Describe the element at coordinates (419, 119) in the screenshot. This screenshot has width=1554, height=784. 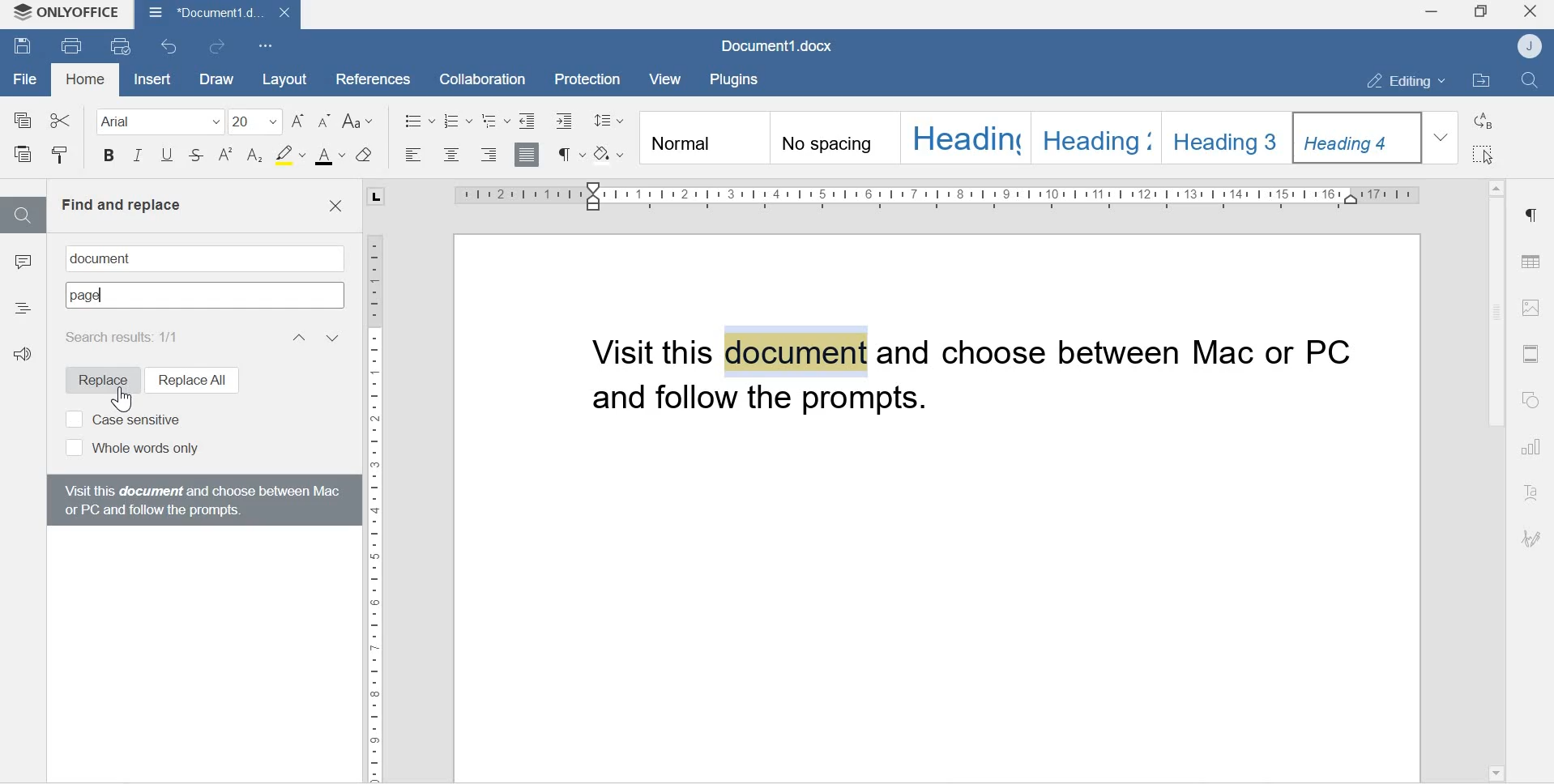
I see `Bullets` at that location.